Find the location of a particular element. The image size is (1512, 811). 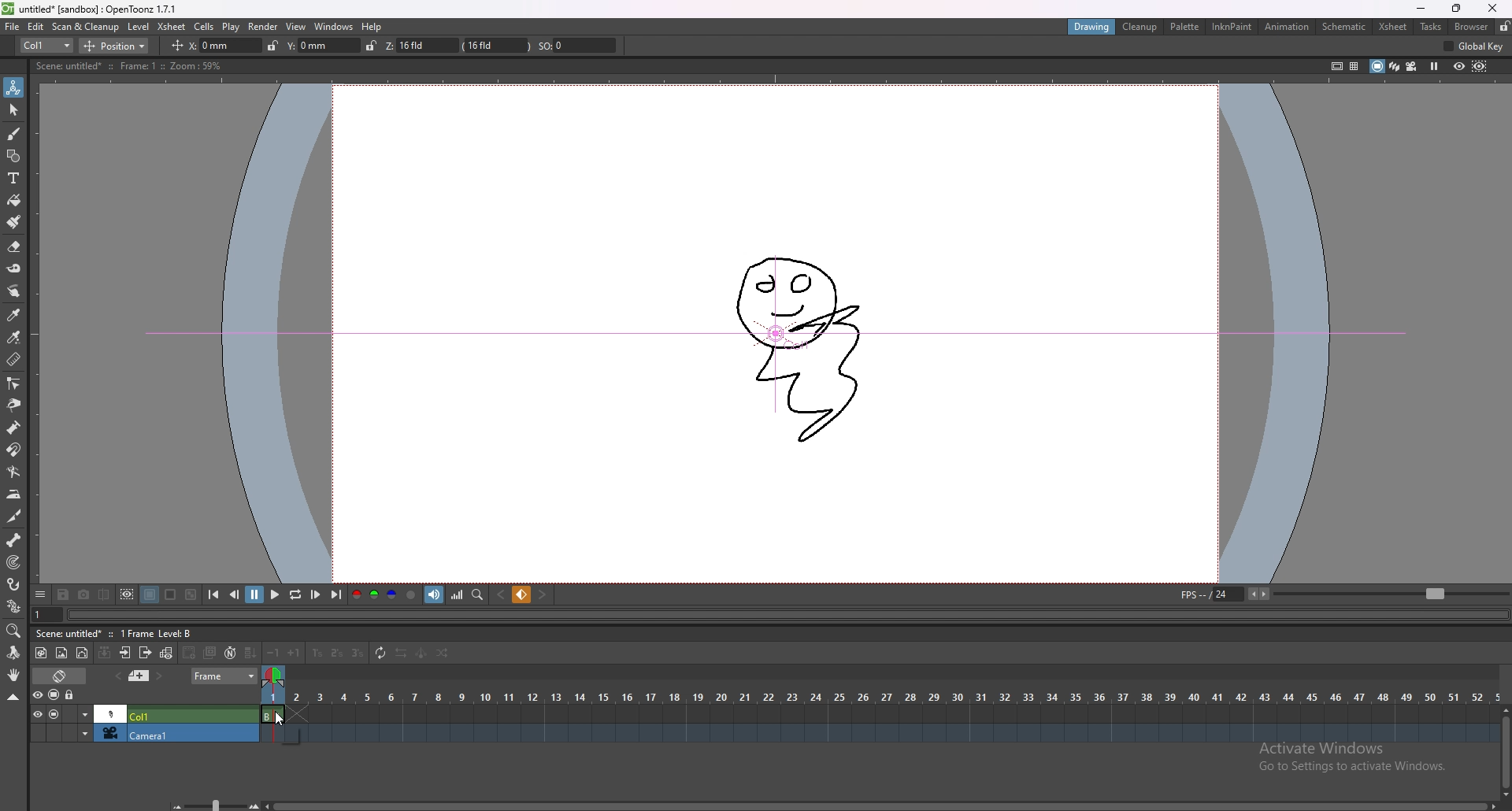

finger is located at coordinates (16, 291).